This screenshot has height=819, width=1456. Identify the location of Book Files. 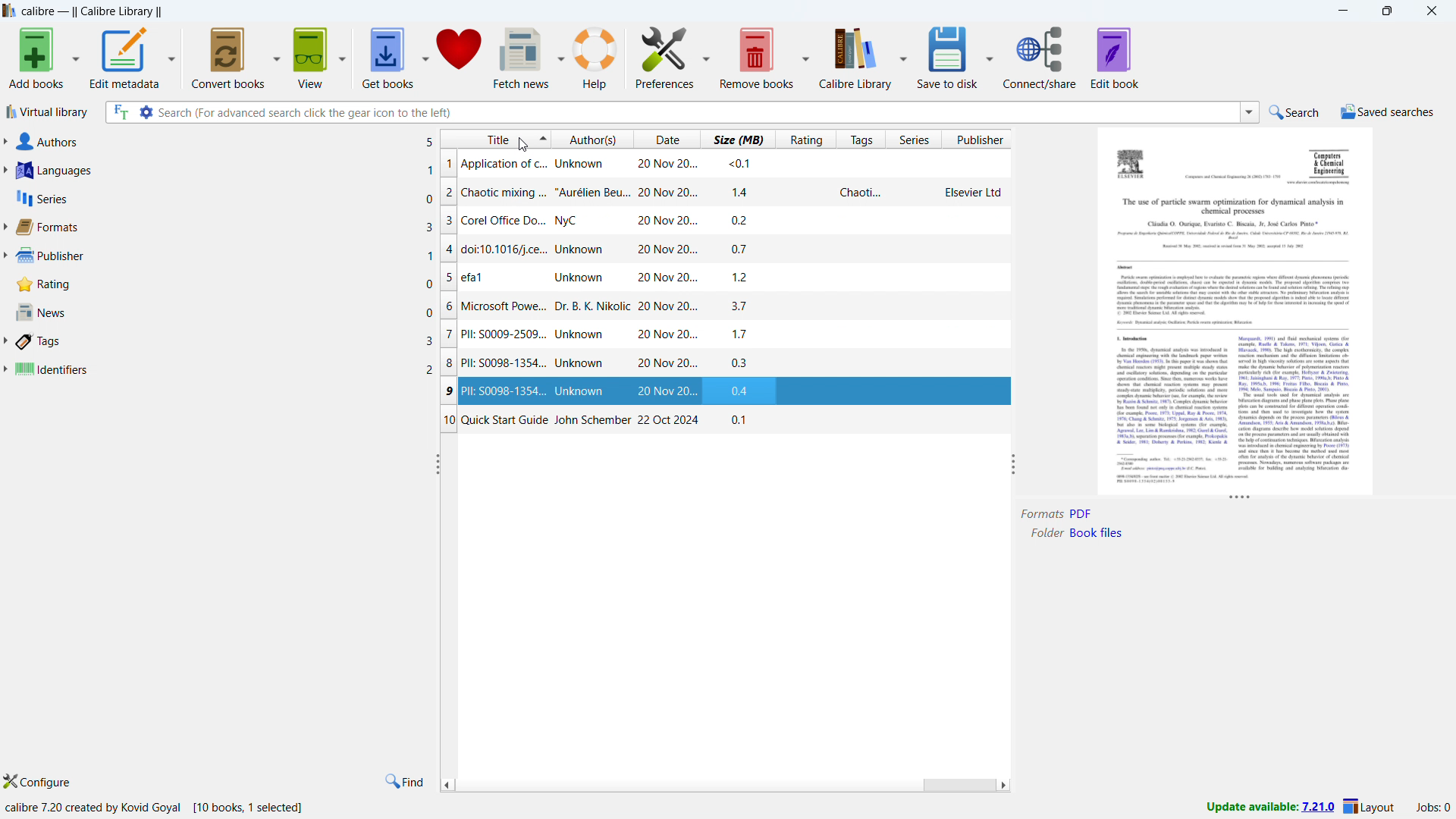
(1100, 534).